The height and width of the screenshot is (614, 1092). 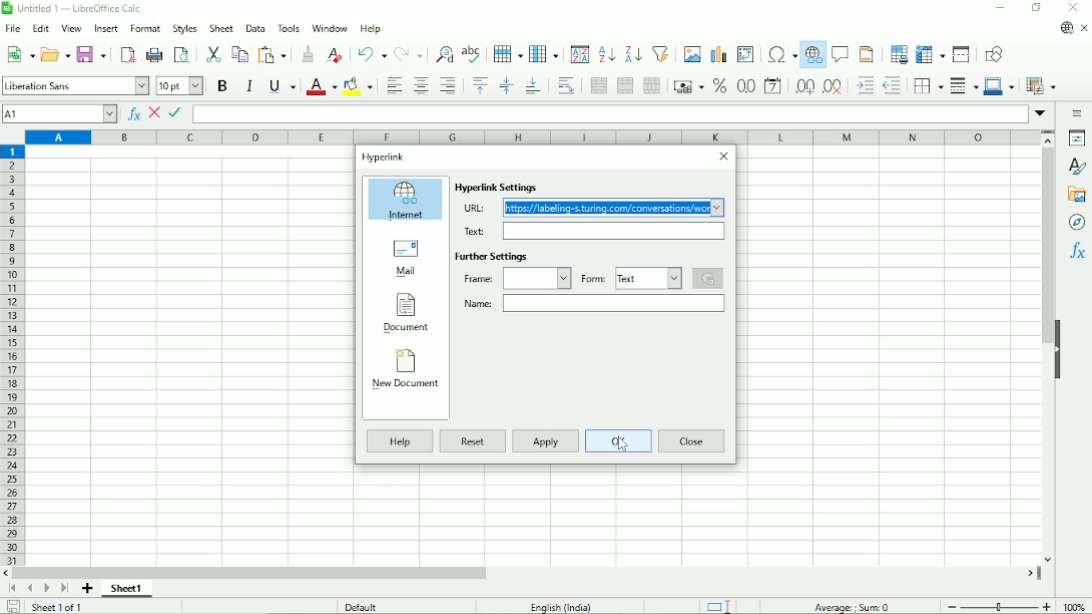 I want to click on Scroll to last page, so click(x=64, y=588).